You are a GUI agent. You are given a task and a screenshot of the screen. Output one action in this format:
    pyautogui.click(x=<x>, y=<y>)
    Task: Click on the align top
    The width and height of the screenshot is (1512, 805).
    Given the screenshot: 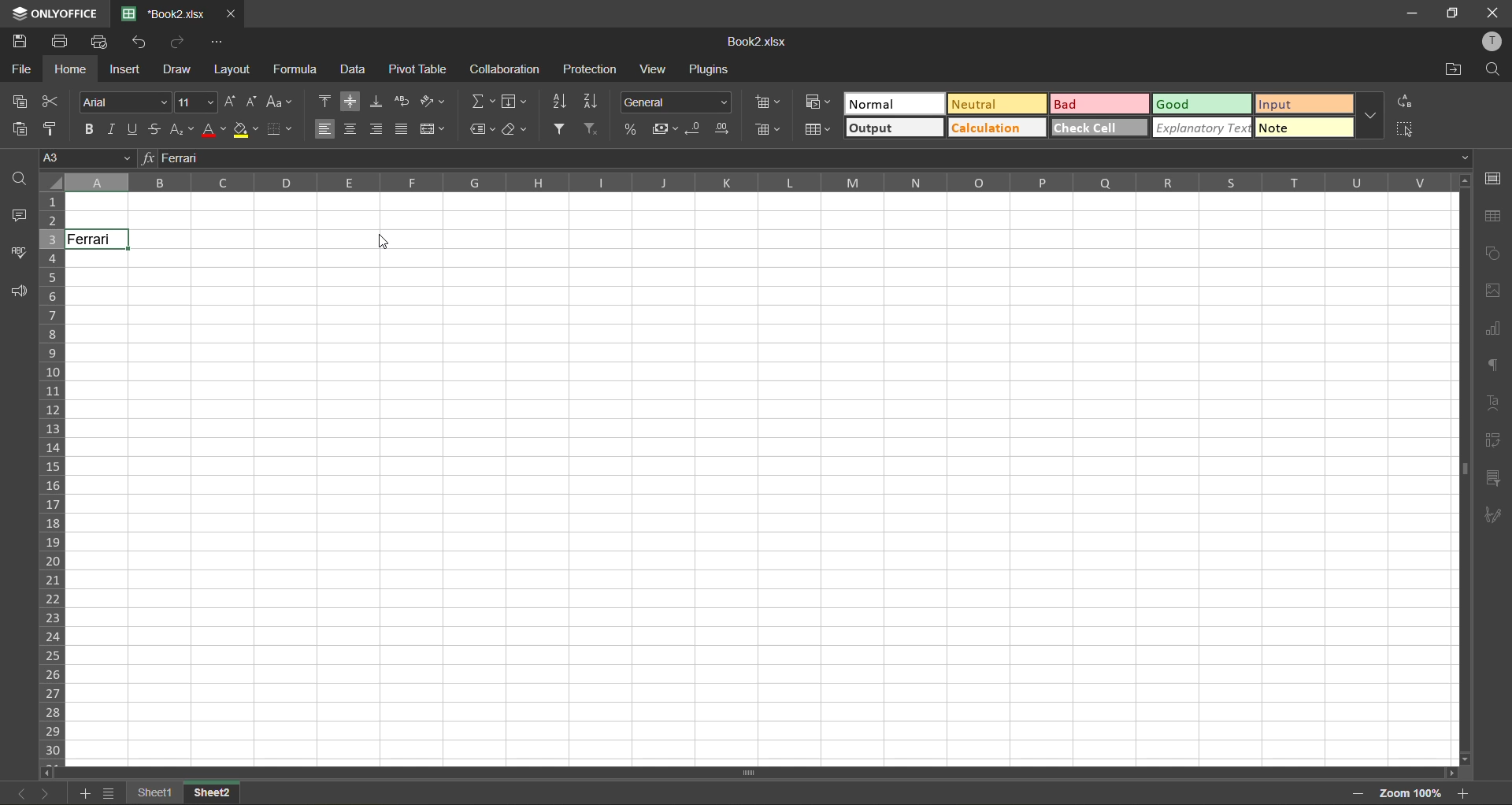 What is the action you would take?
    pyautogui.click(x=323, y=101)
    